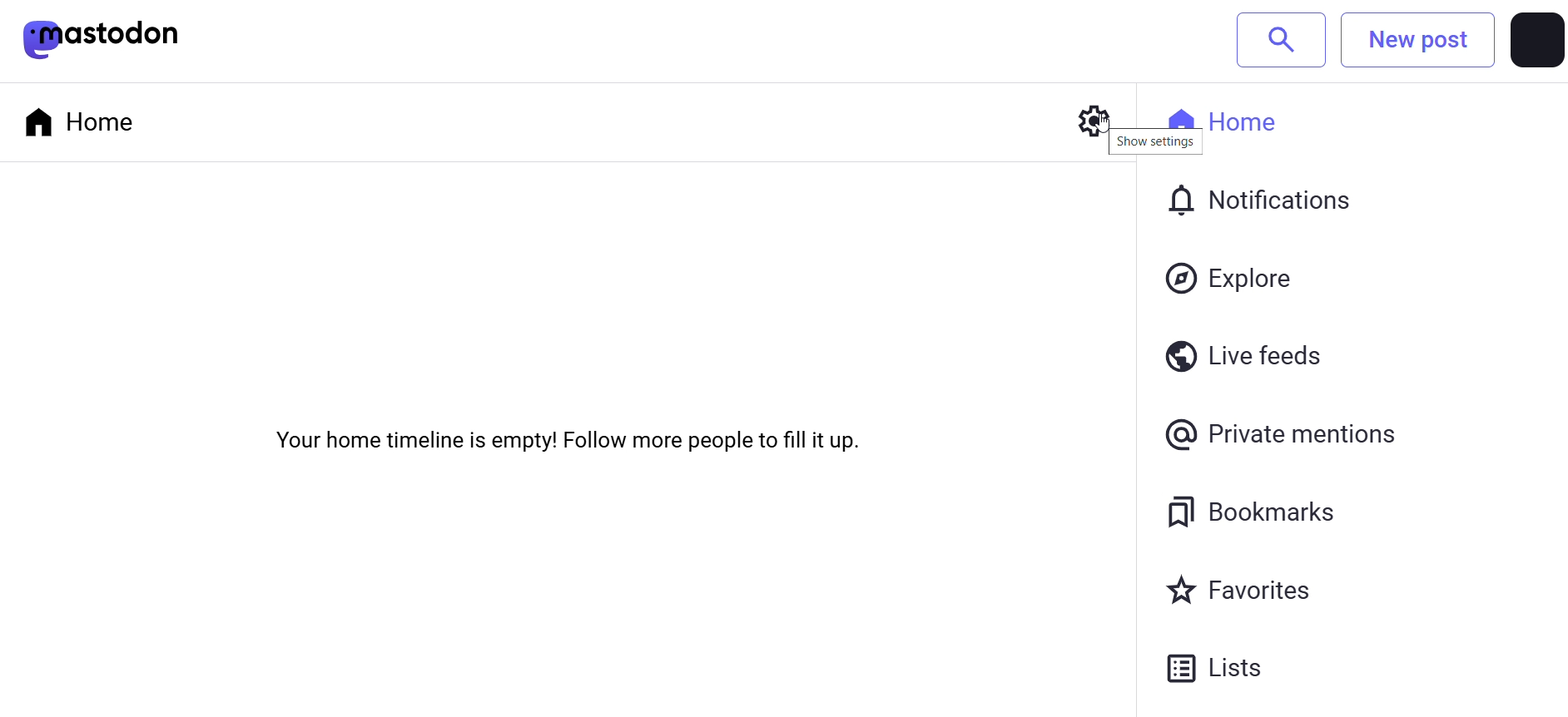  What do you see at coordinates (1082, 121) in the screenshot?
I see `setting` at bounding box center [1082, 121].